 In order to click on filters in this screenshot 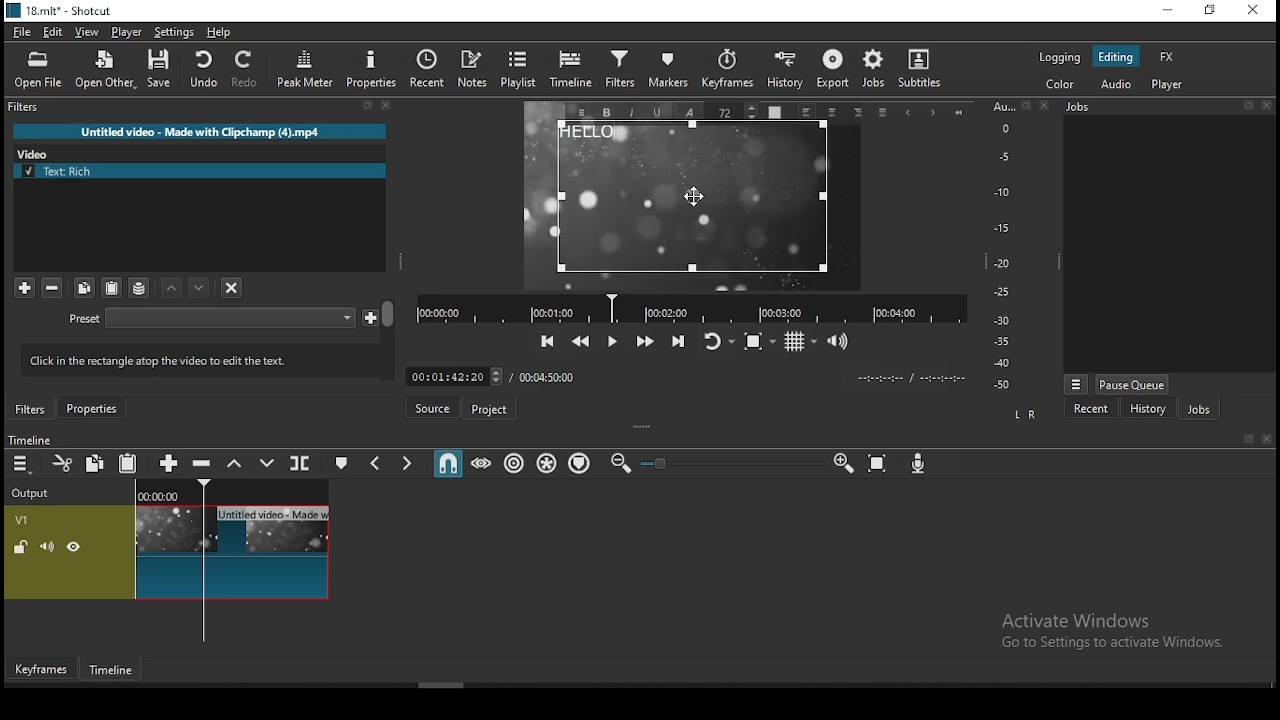, I will do `click(26, 107)`.